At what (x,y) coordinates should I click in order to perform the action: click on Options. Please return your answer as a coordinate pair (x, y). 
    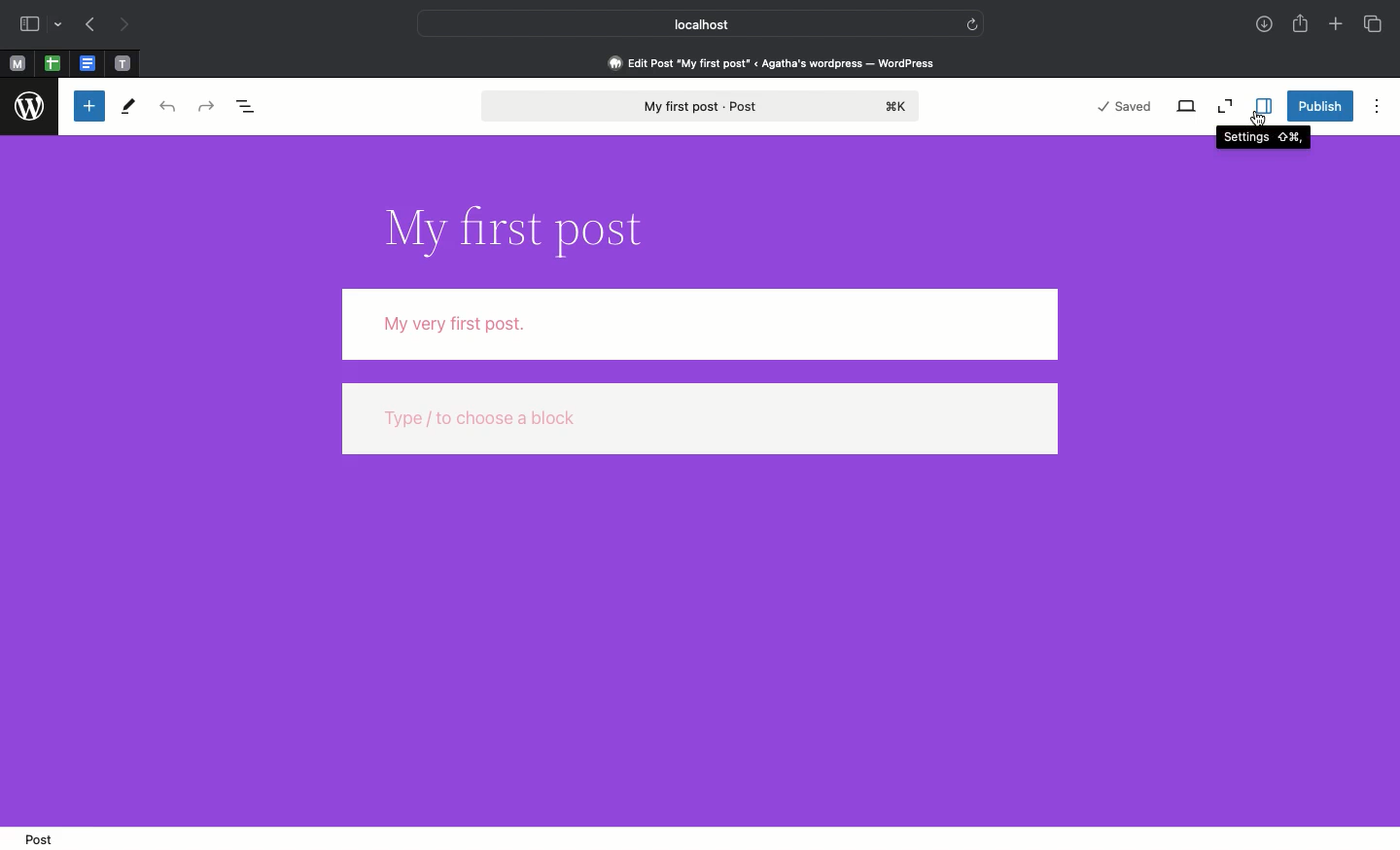
    Looking at the image, I should click on (1379, 105).